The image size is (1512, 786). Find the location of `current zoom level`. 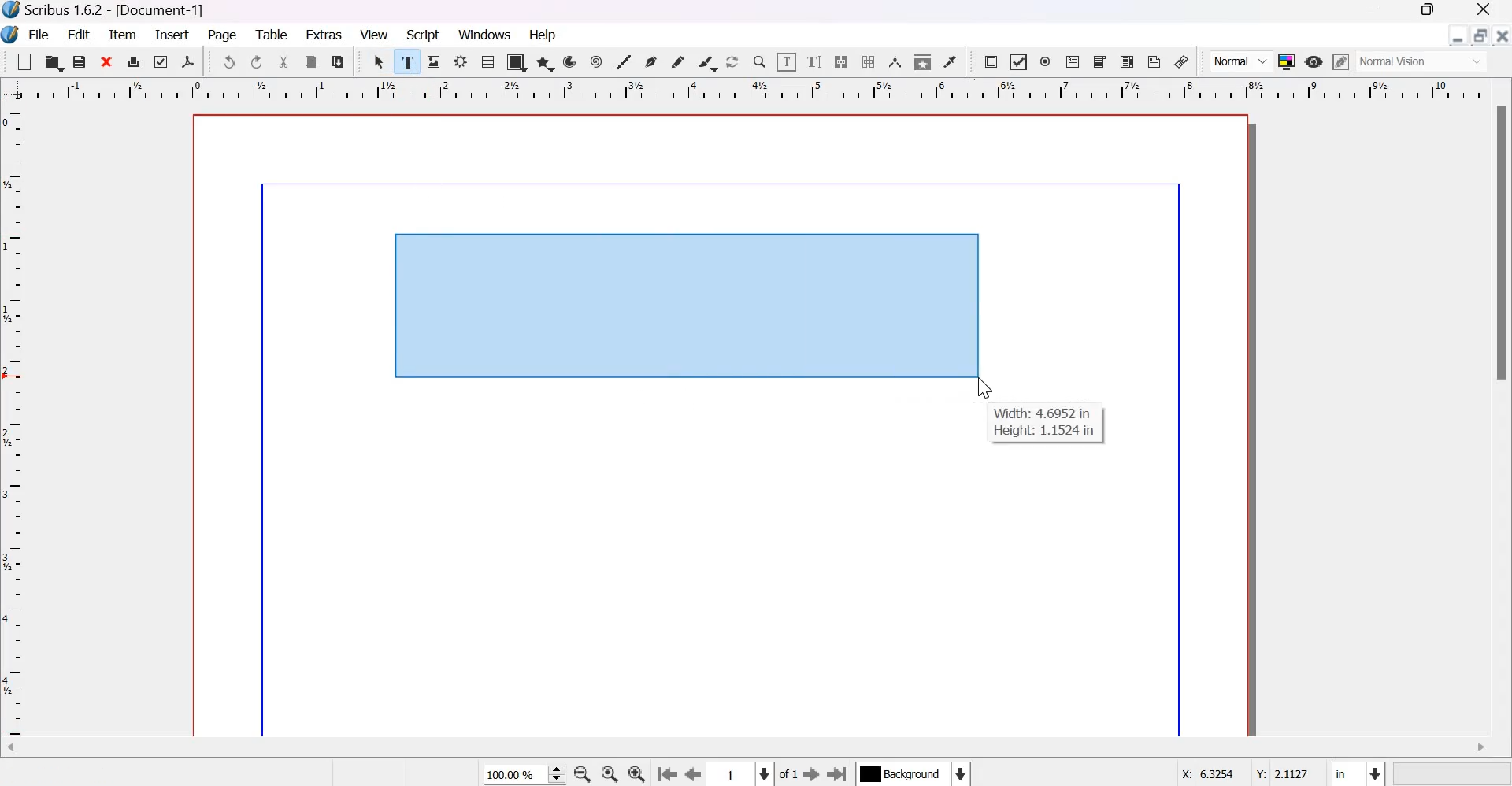

current zoom level is located at coordinates (524, 775).